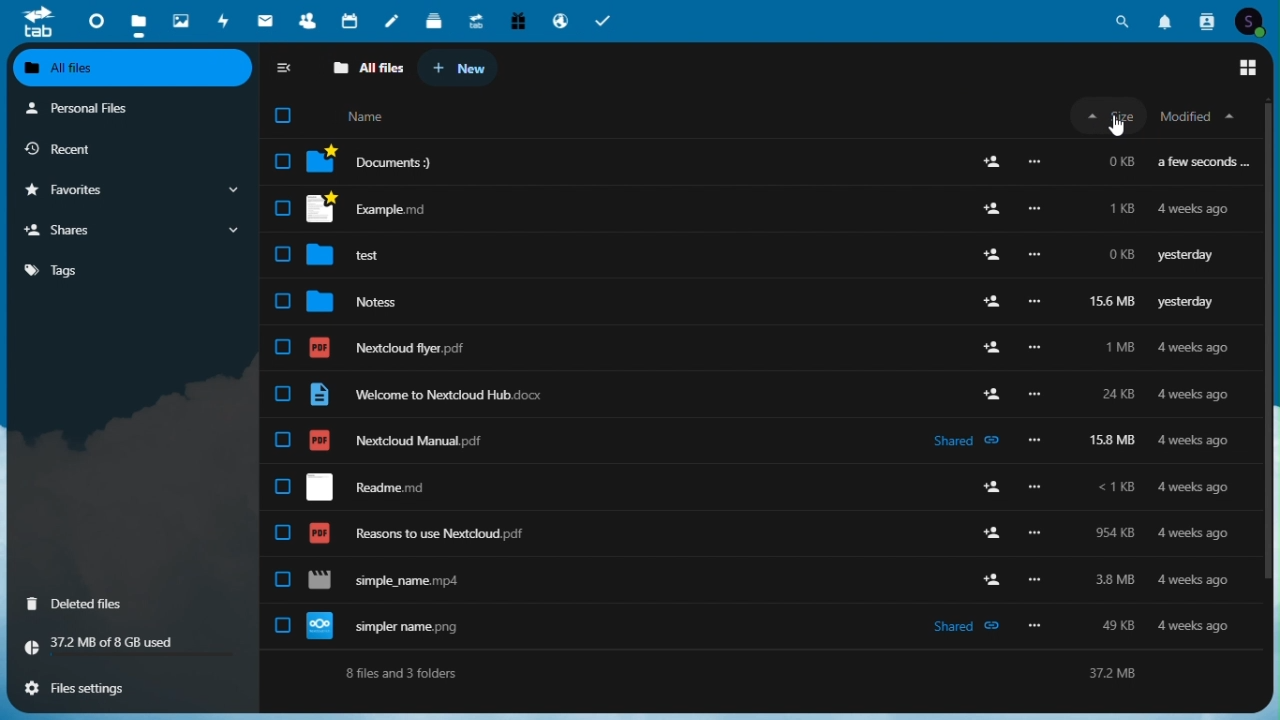 Image resolution: width=1280 pixels, height=720 pixels. Describe the element at coordinates (283, 68) in the screenshot. I see `Collapse side bar` at that location.